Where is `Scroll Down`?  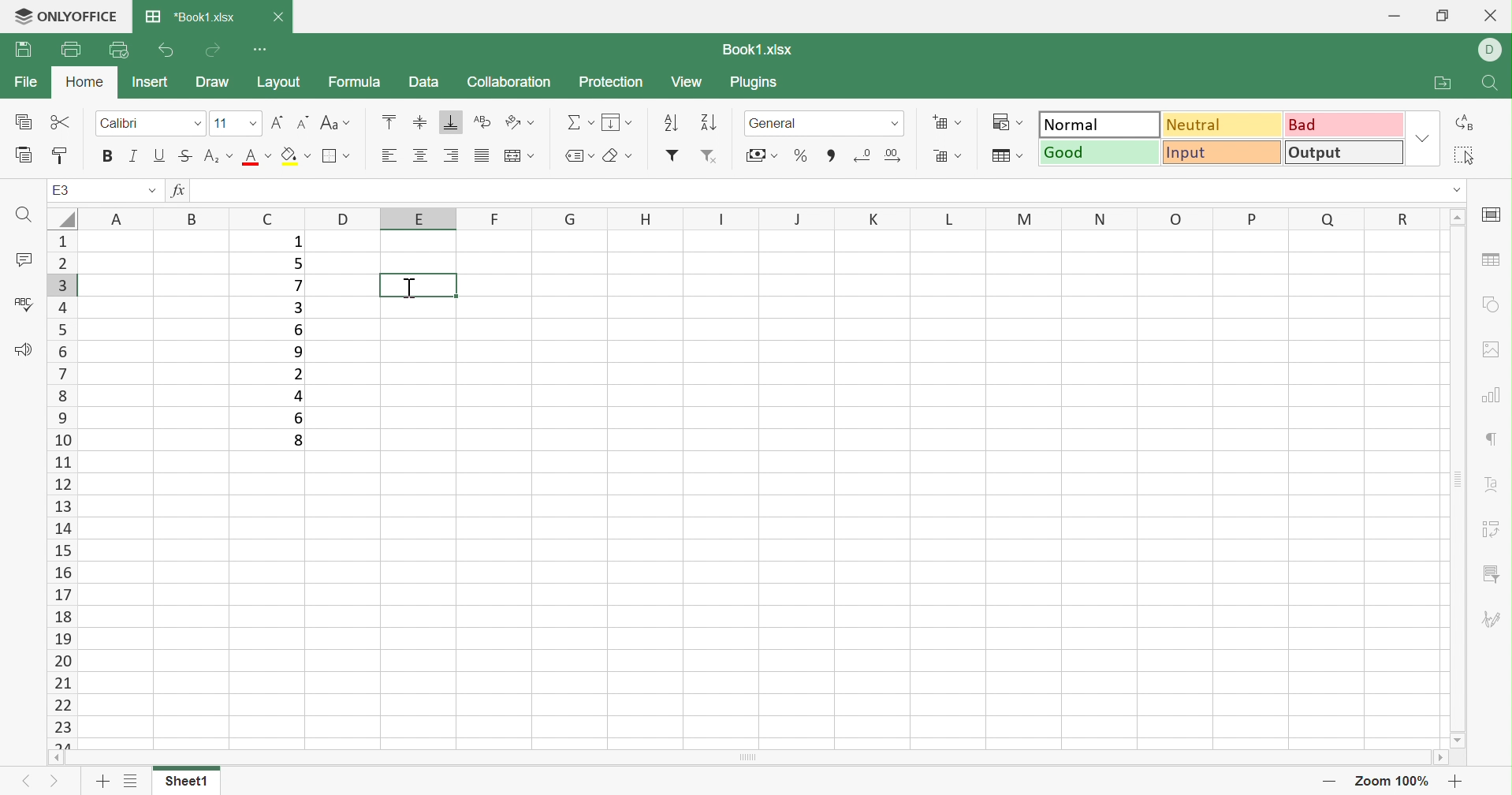 Scroll Down is located at coordinates (1452, 739).